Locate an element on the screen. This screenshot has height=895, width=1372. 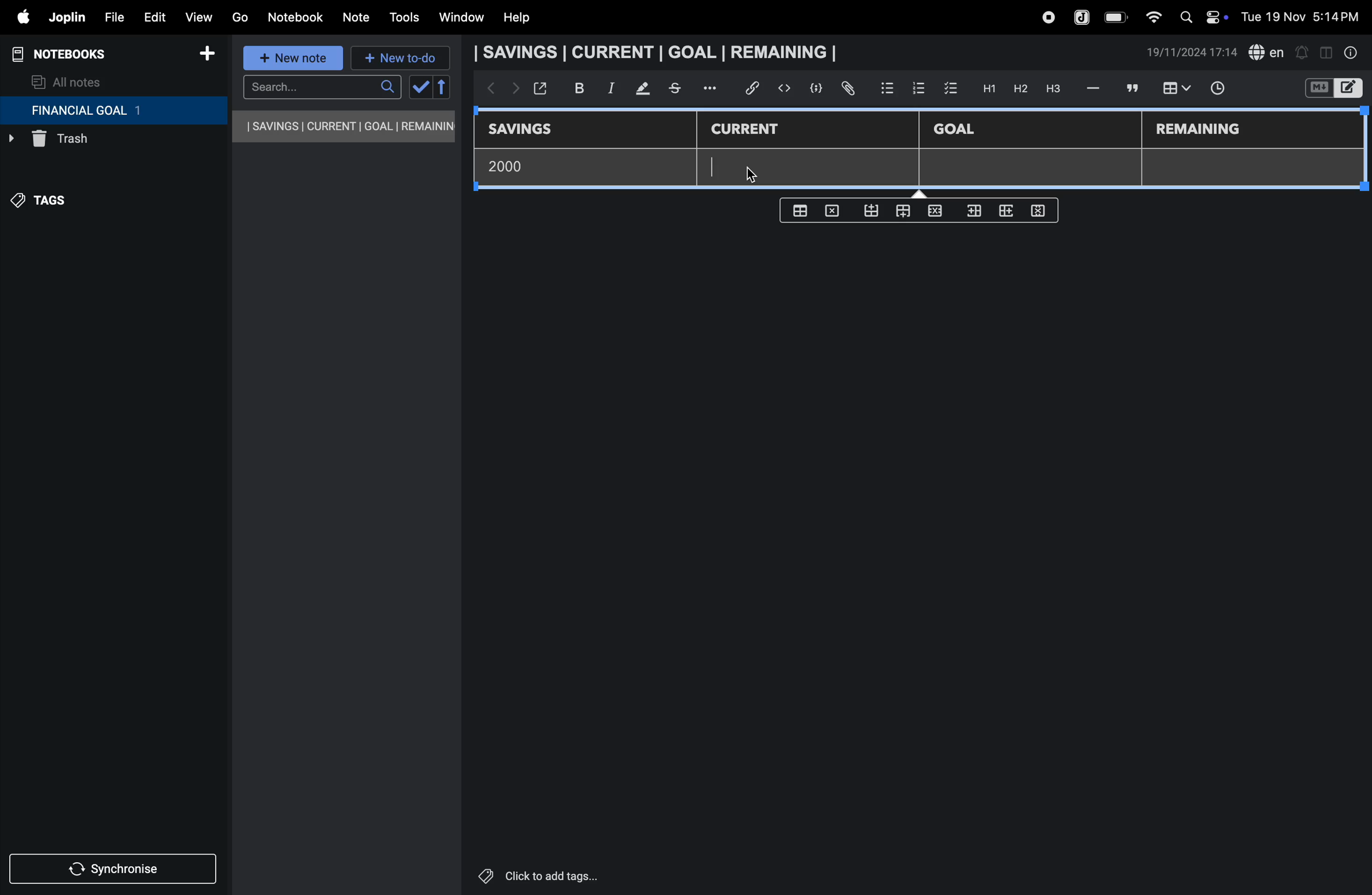
close rows is located at coordinates (933, 213).